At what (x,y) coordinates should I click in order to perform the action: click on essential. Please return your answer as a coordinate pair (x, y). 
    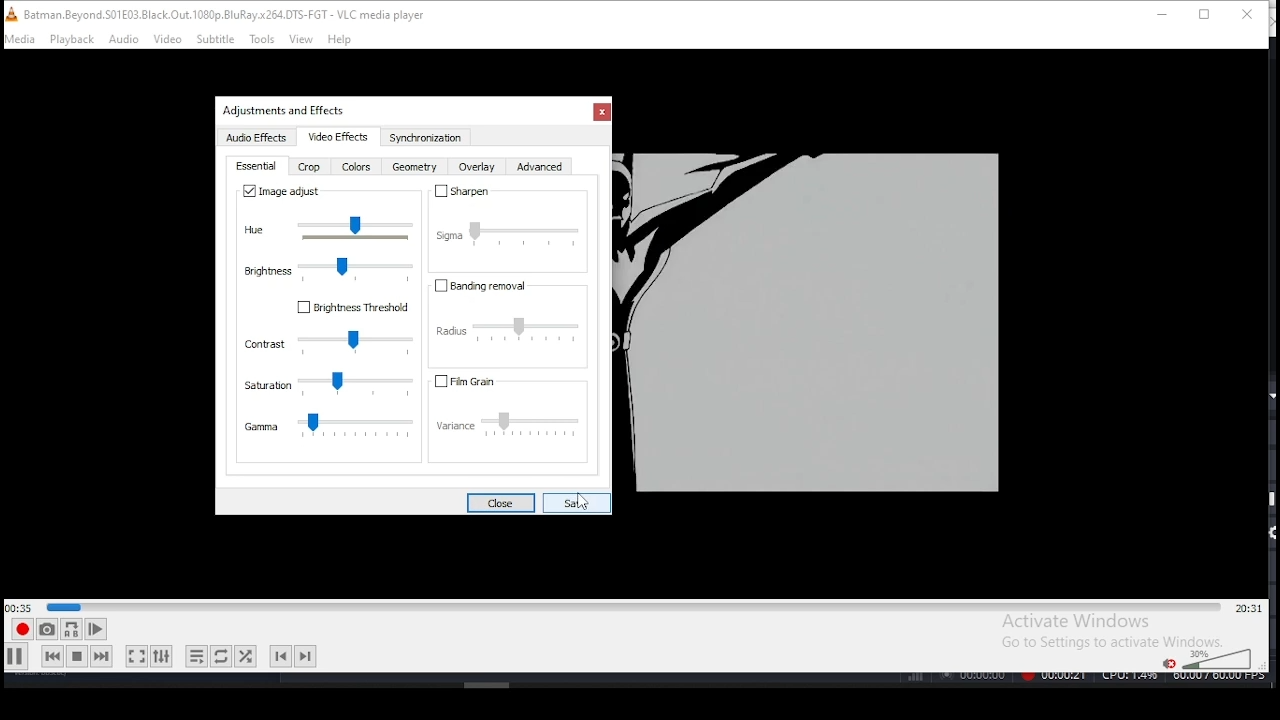
    Looking at the image, I should click on (258, 167).